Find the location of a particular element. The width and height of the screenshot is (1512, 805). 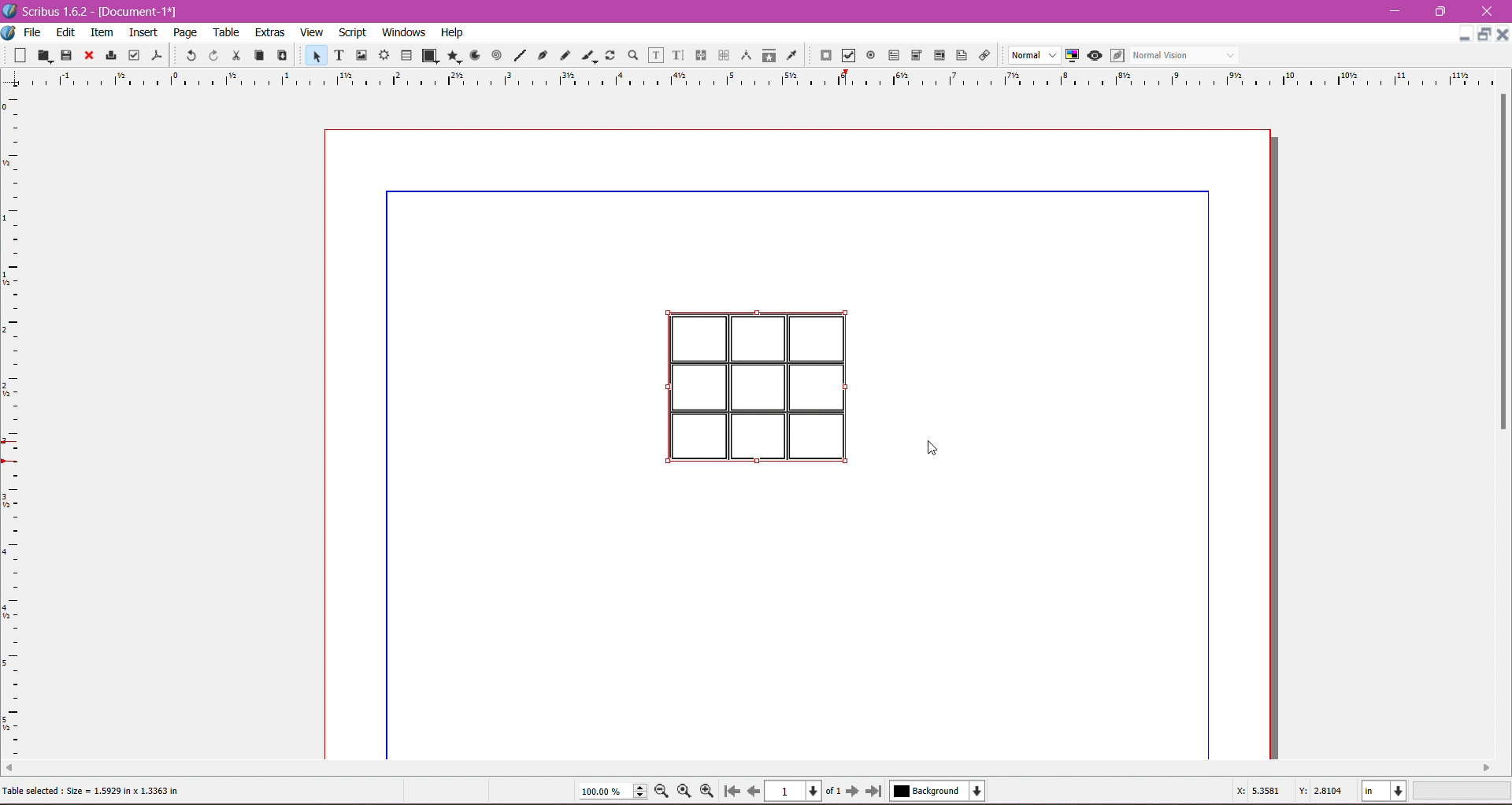

Undo is located at coordinates (189, 54).